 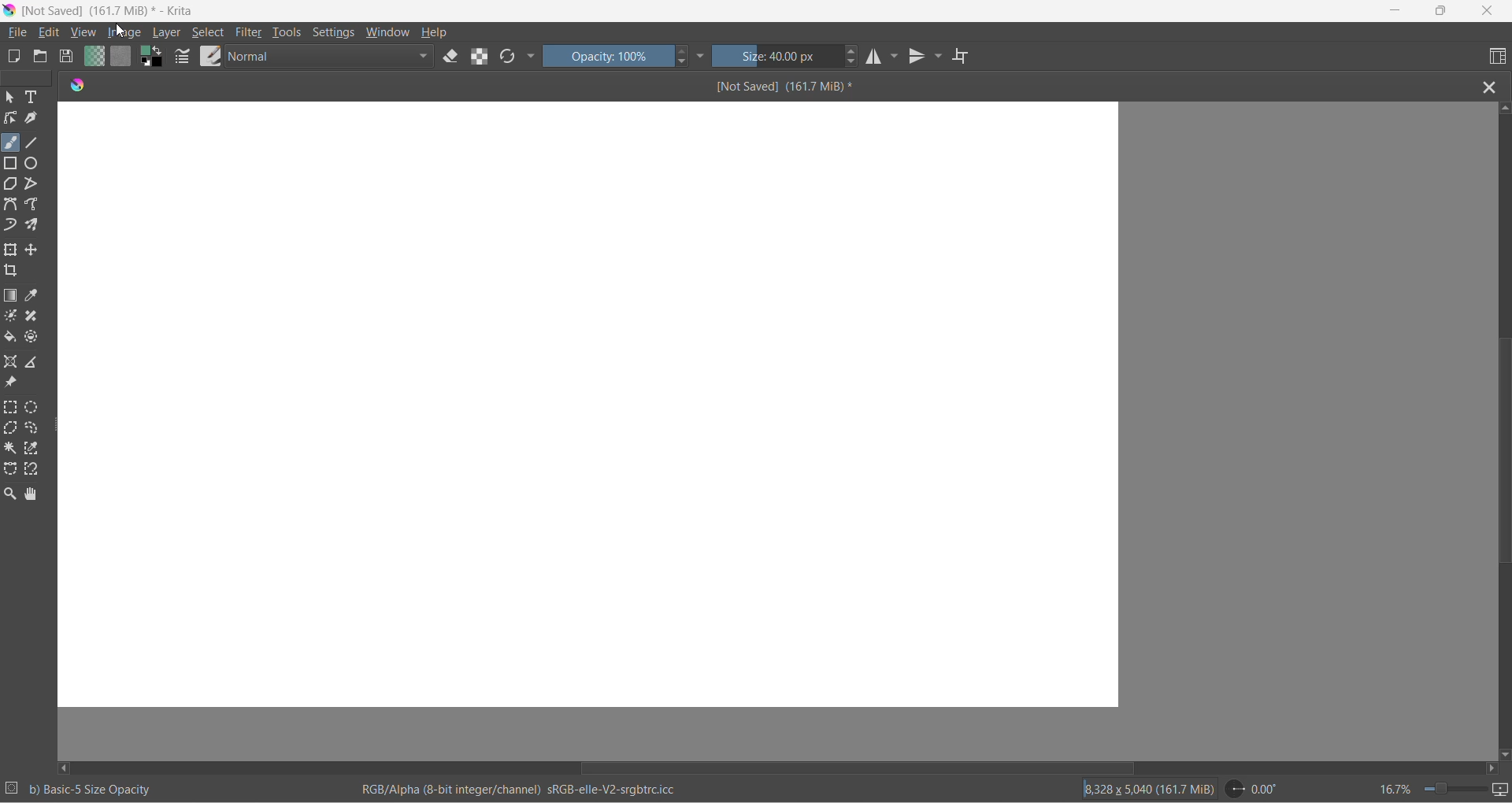 What do you see at coordinates (12, 409) in the screenshot?
I see `rectangular selection tool` at bounding box center [12, 409].